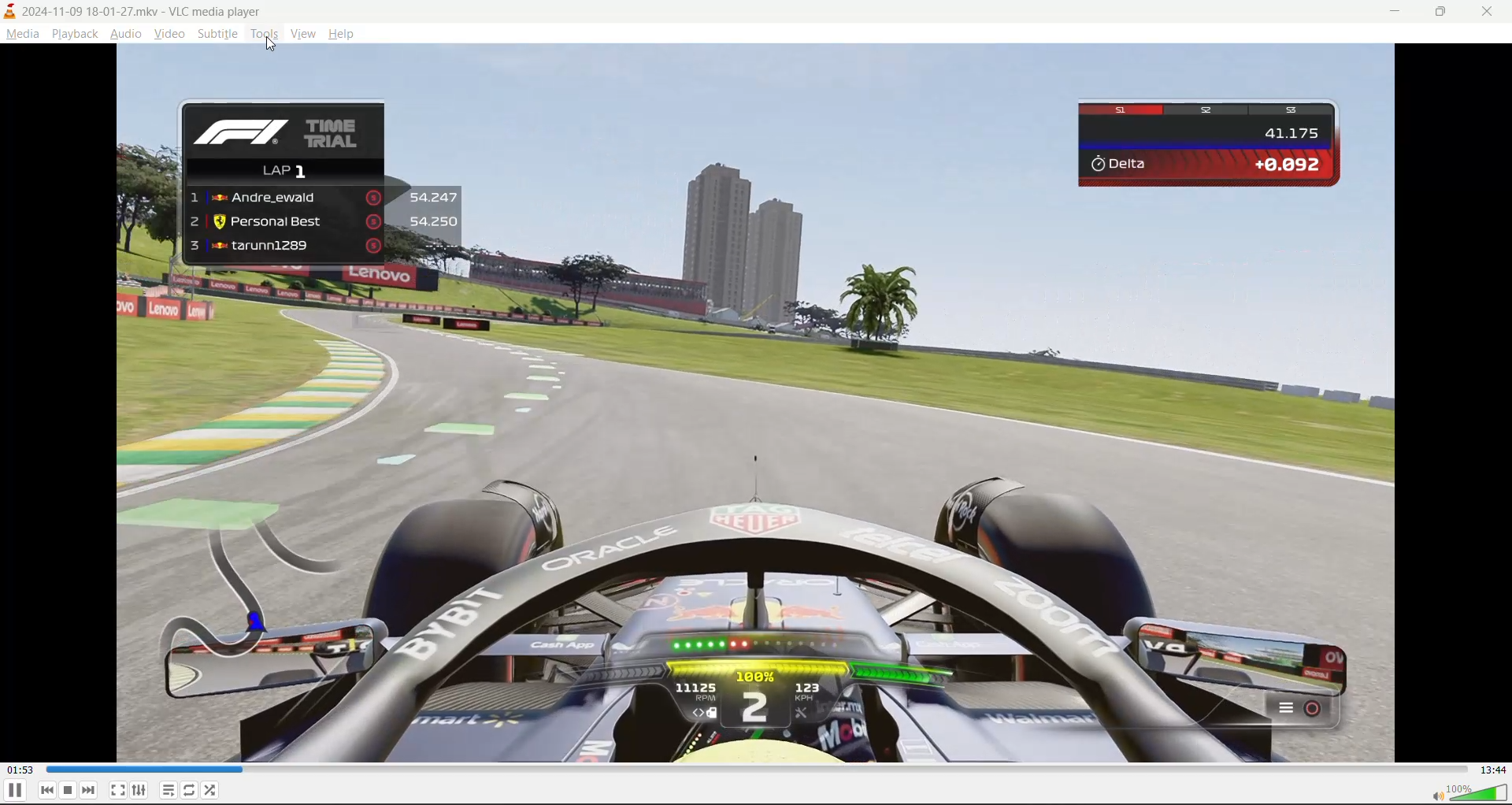 The height and width of the screenshot is (805, 1512). What do you see at coordinates (754, 769) in the screenshot?
I see `track slider` at bounding box center [754, 769].